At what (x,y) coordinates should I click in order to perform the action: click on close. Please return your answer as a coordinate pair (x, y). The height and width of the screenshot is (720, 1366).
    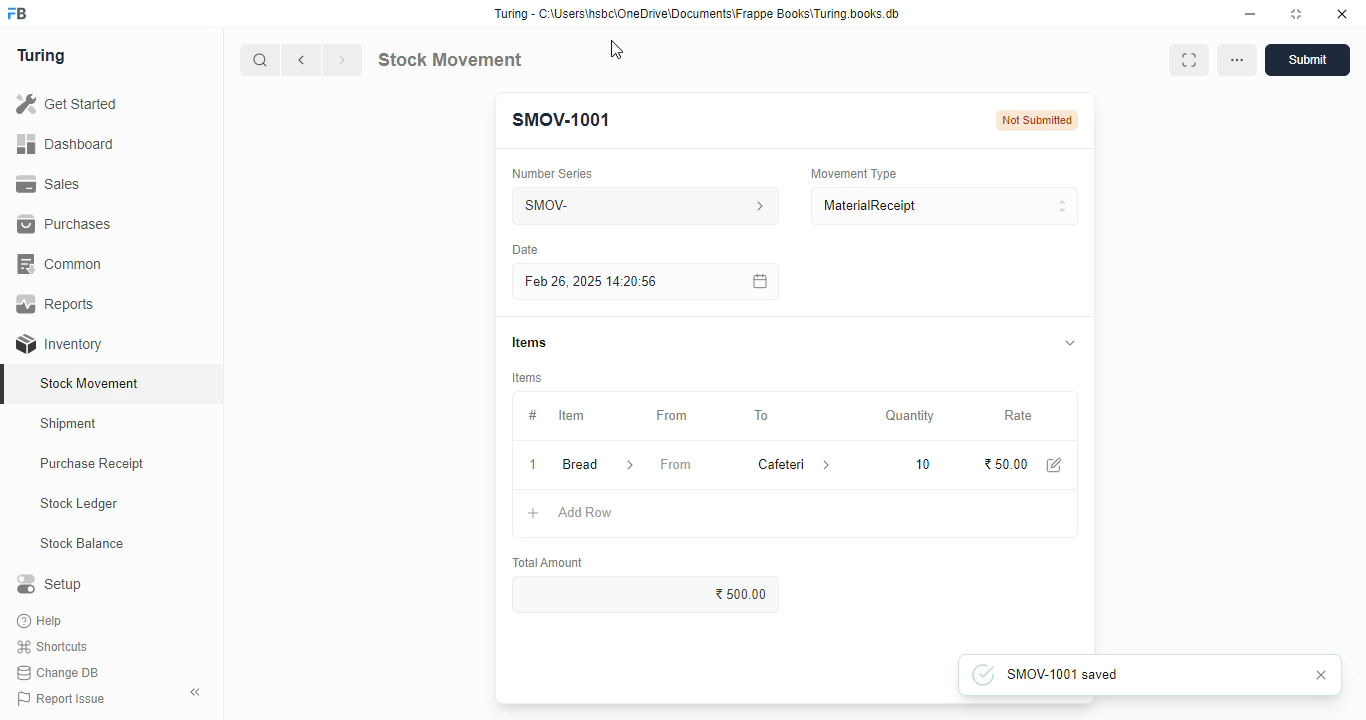
    Looking at the image, I should click on (1342, 14).